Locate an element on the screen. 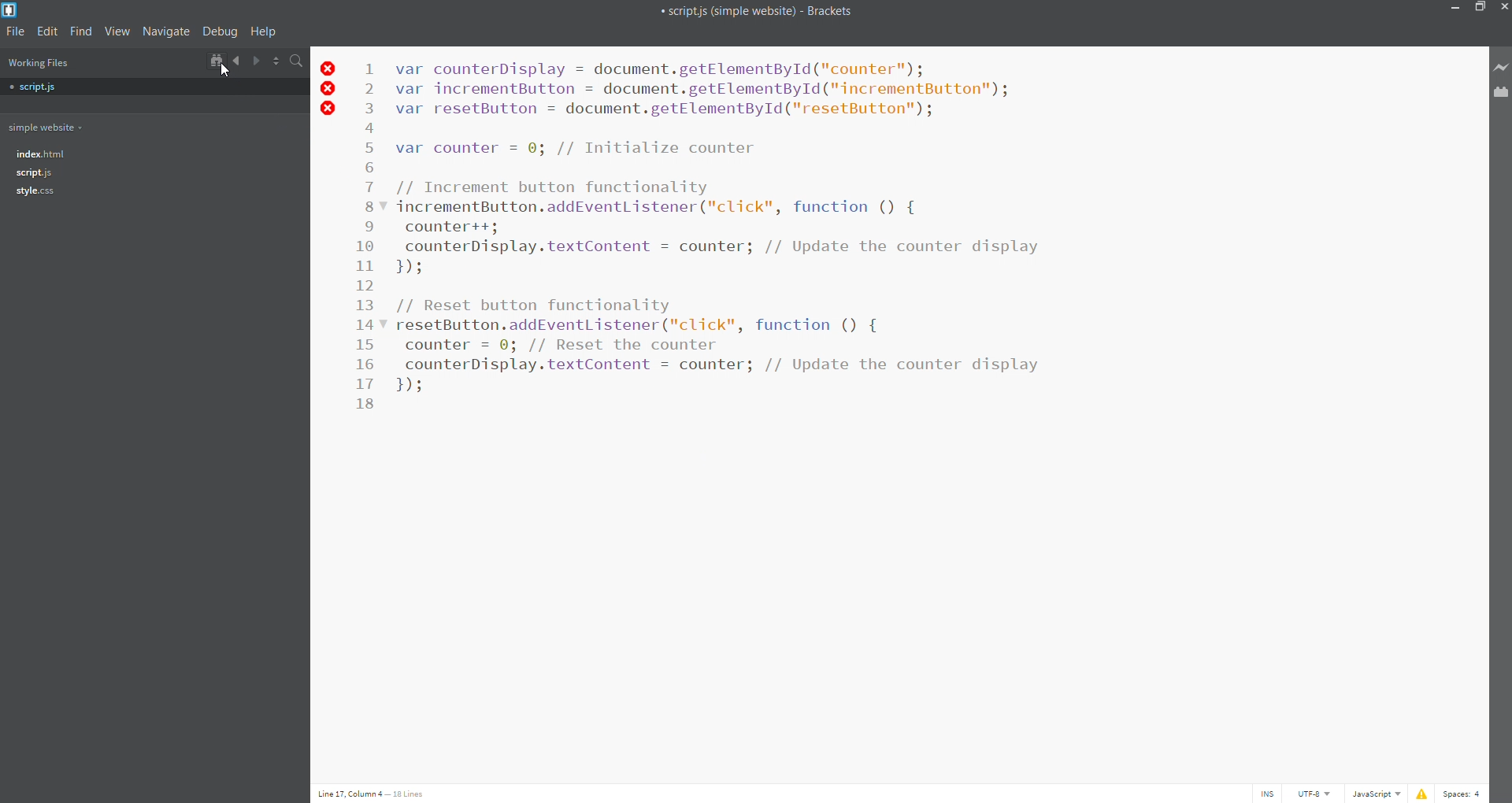 The image size is (1512, 803). line error is located at coordinates (330, 87).